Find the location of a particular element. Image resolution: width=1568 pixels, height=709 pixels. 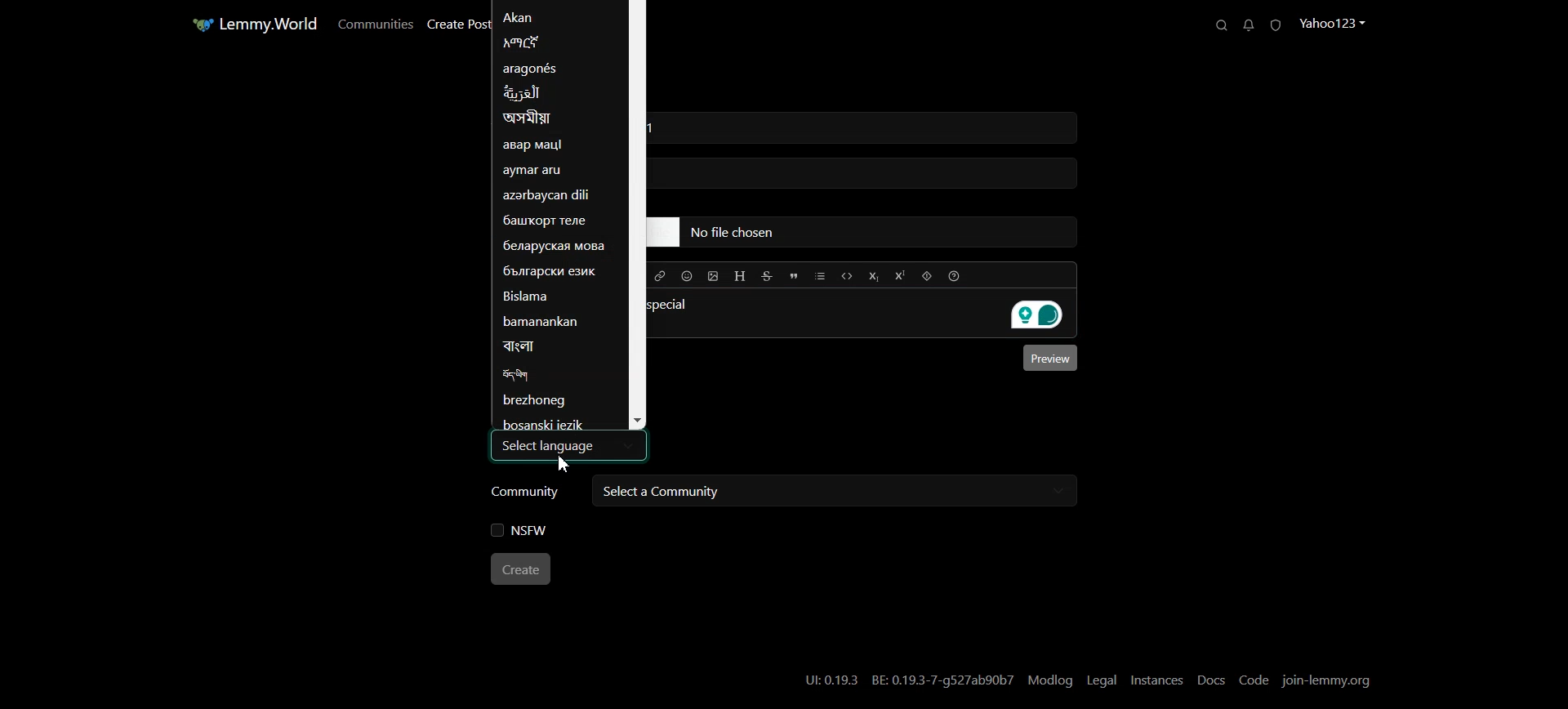

Select a community is located at coordinates (831, 491).